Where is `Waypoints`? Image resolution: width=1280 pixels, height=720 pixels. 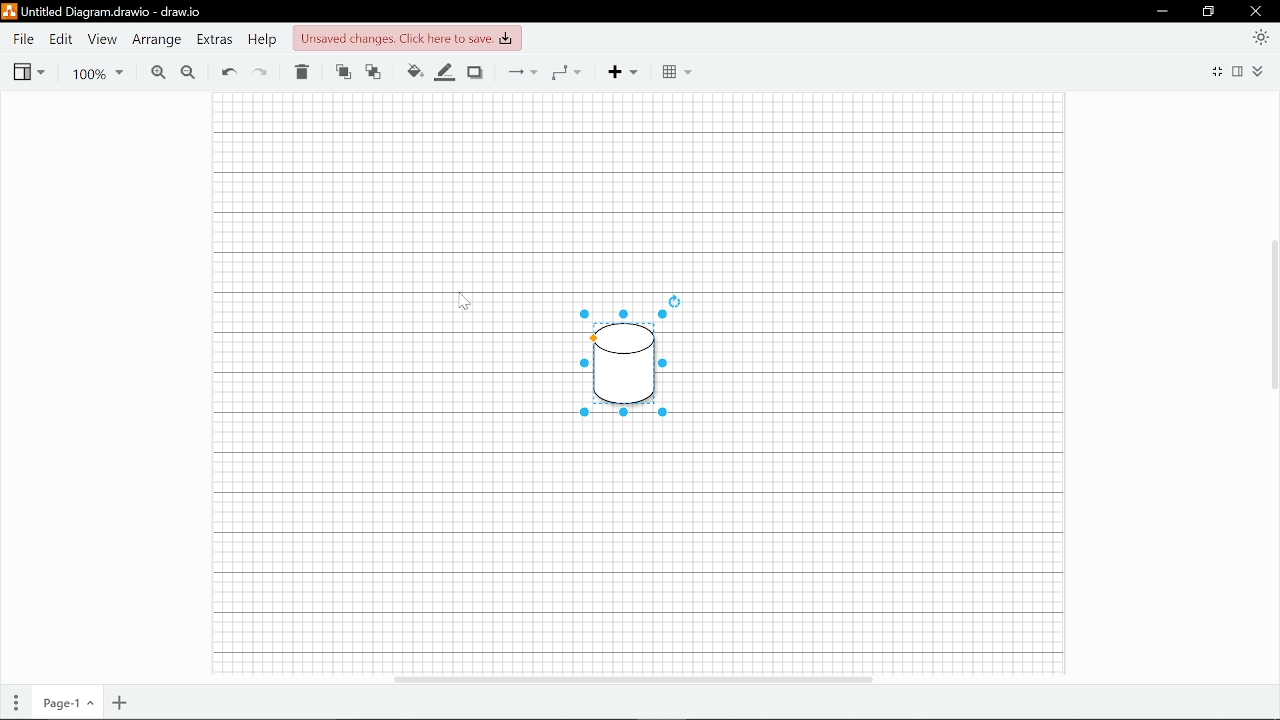 Waypoints is located at coordinates (568, 72).